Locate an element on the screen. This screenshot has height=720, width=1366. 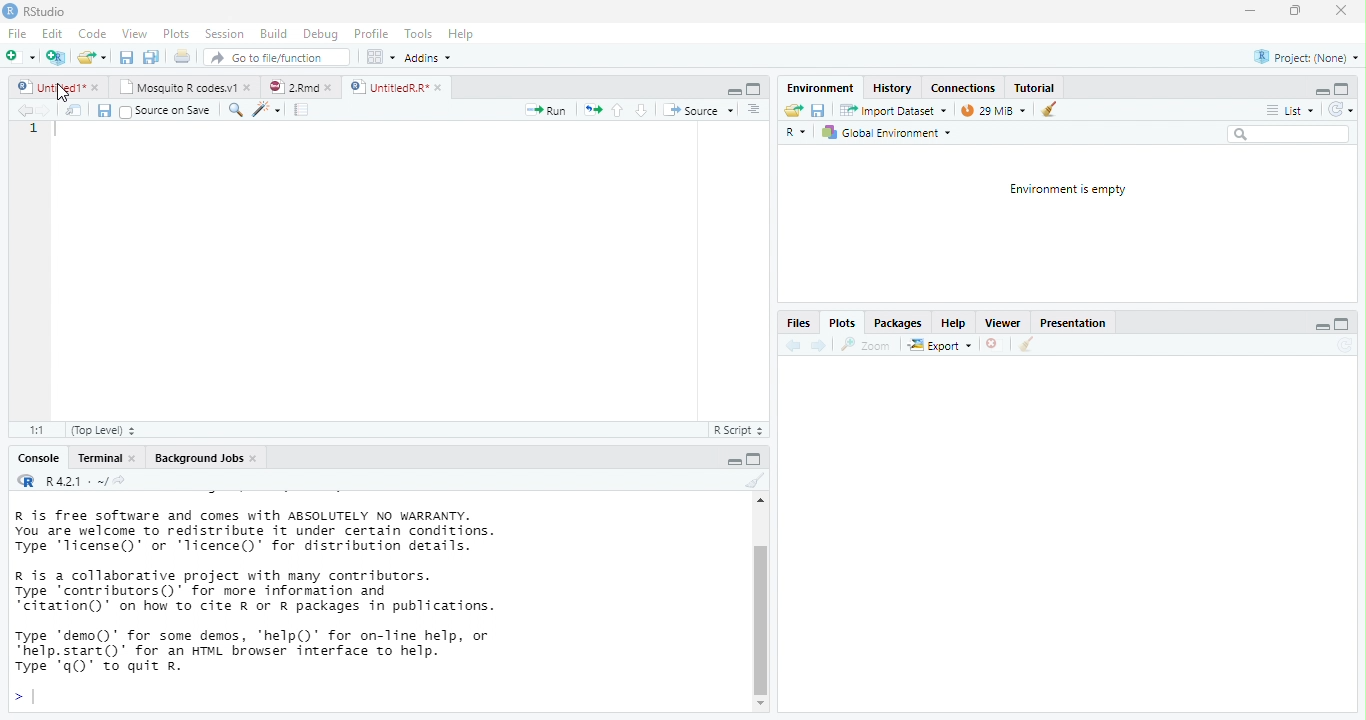
maximize is located at coordinates (1342, 88).